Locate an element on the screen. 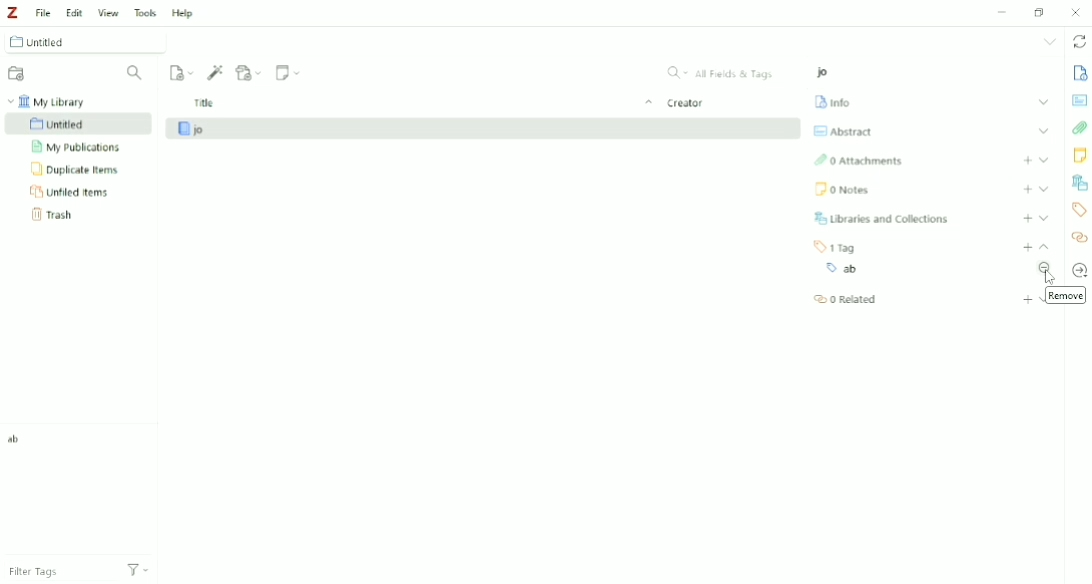 The width and height of the screenshot is (1092, 584). Untitled Collection is located at coordinates (90, 41).